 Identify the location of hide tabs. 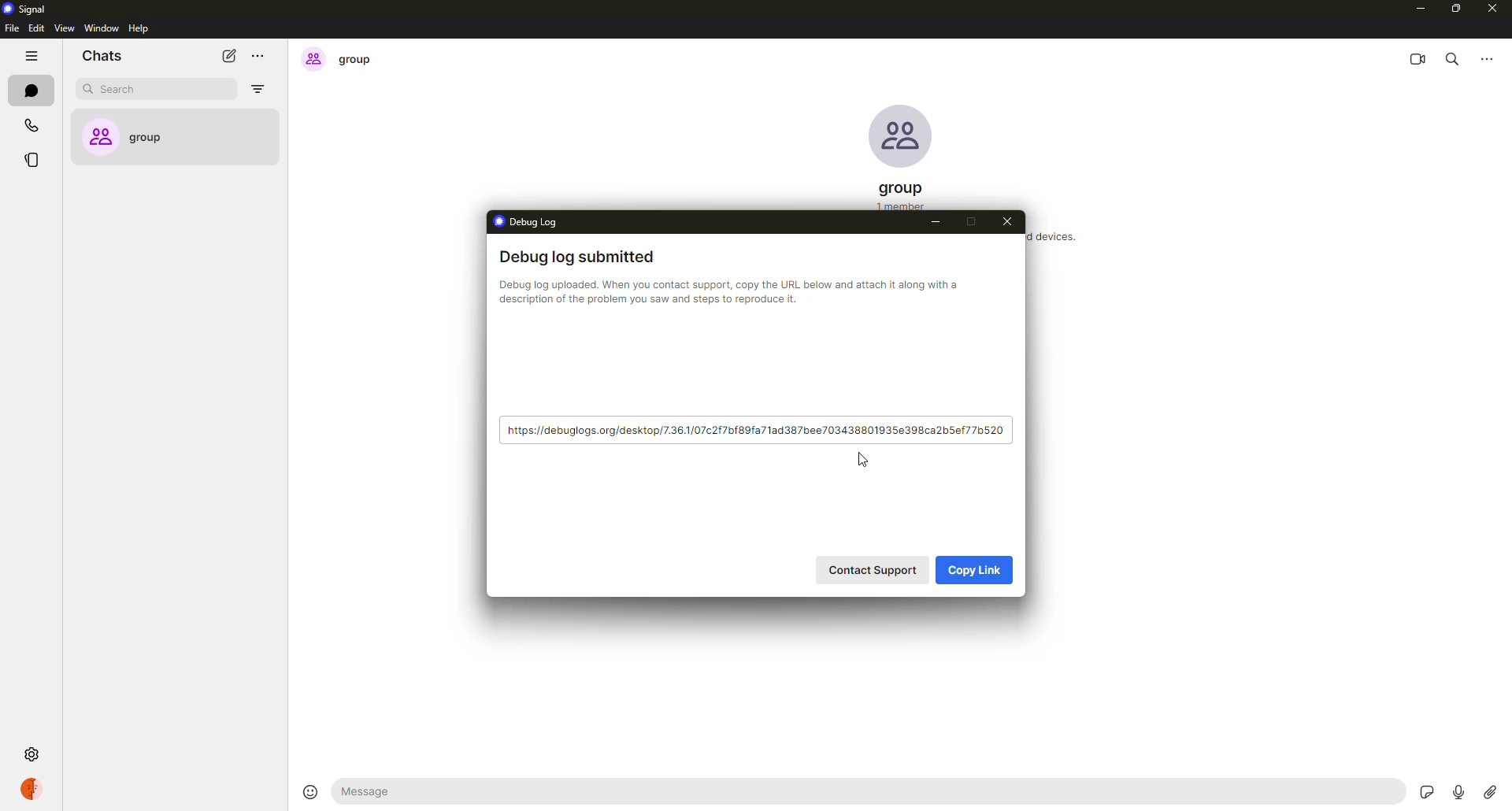
(33, 57).